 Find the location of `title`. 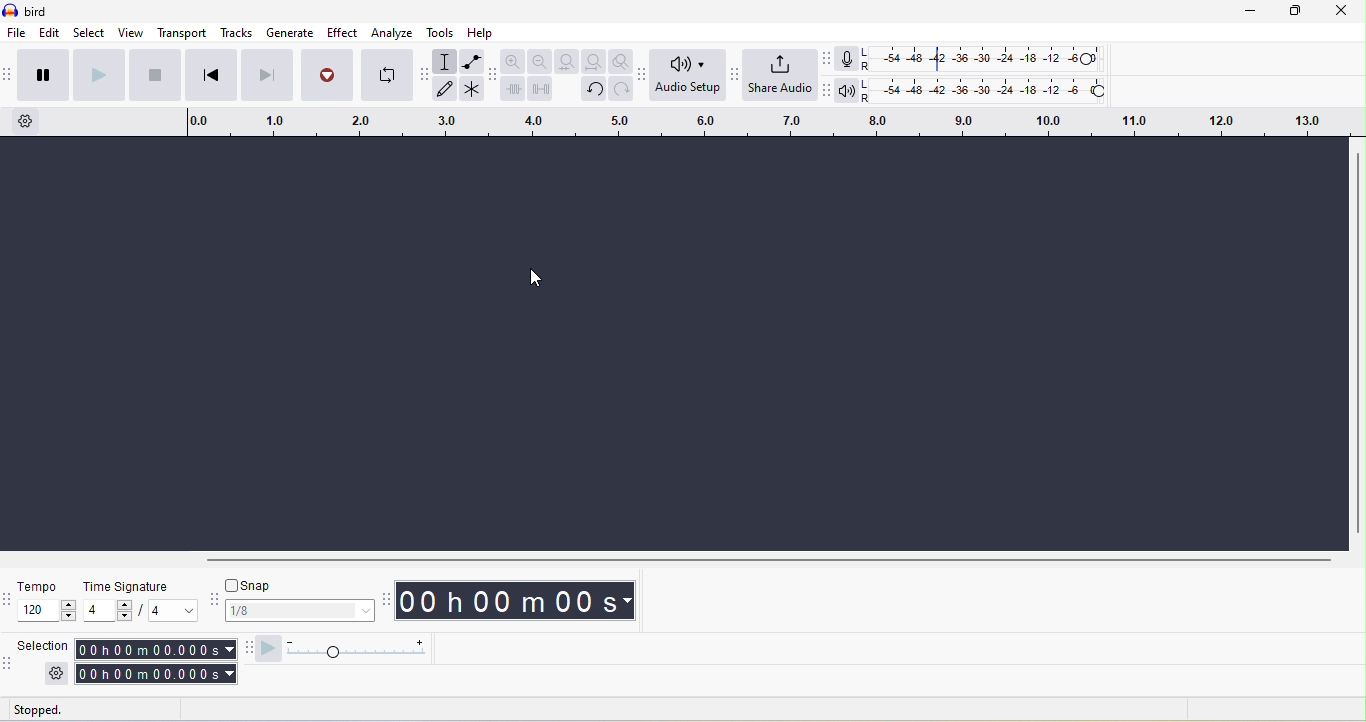

title is located at coordinates (41, 12).